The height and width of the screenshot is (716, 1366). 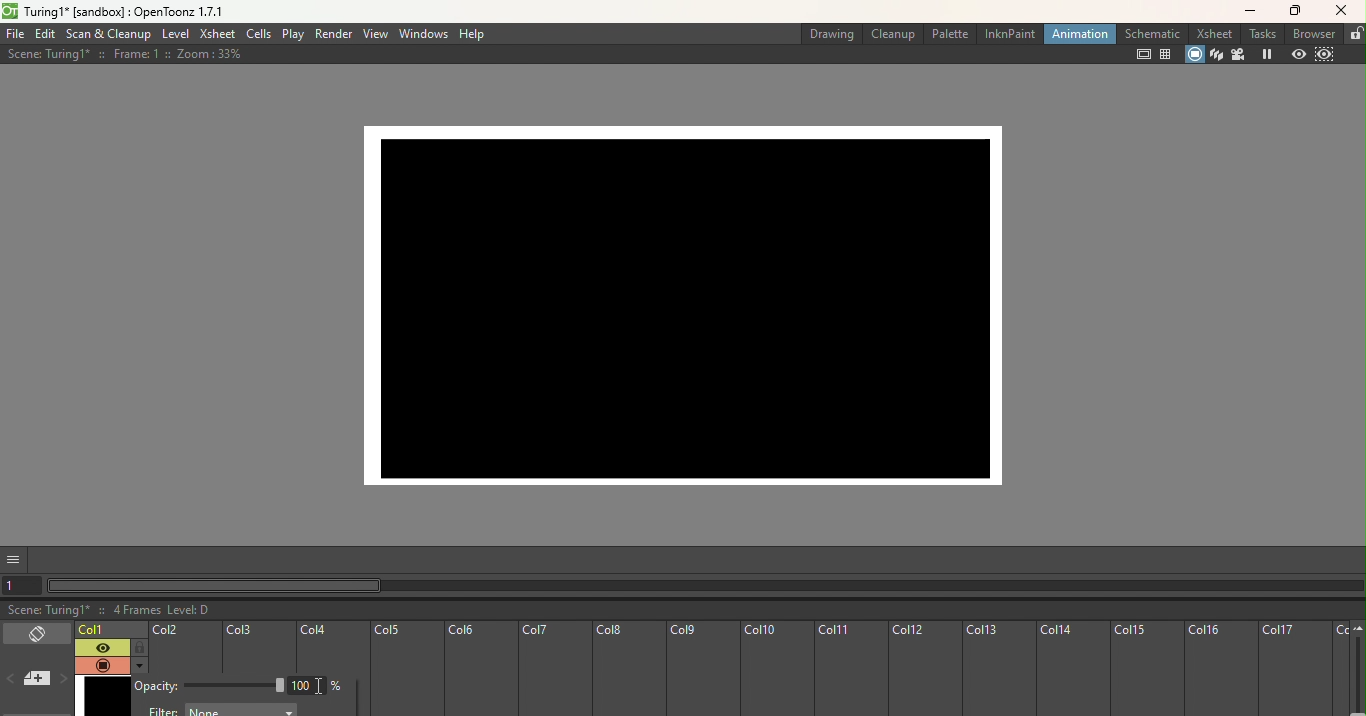 I want to click on Col13, so click(x=998, y=670).